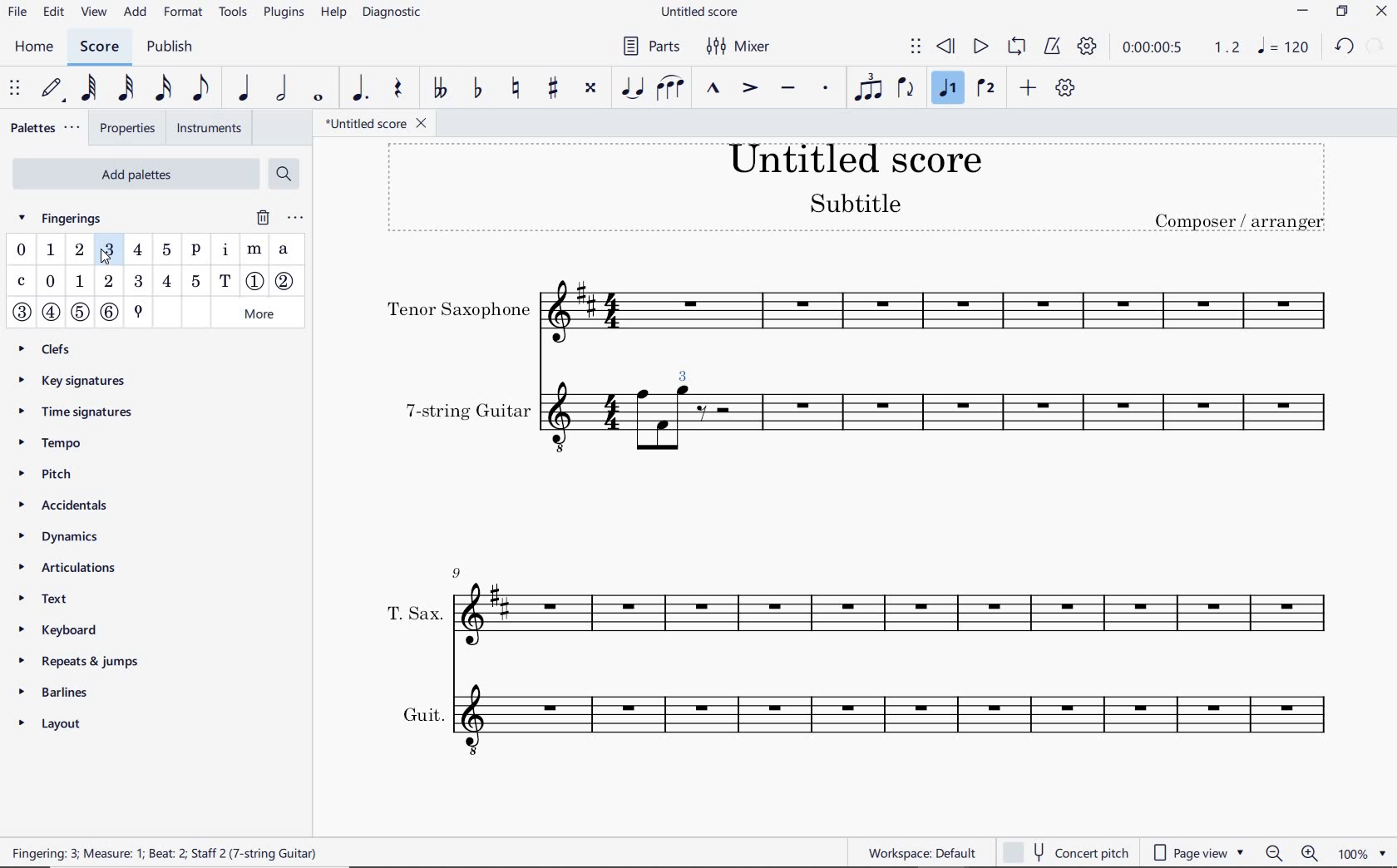 This screenshot has width=1397, height=868. Describe the element at coordinates (209, 127) in the screenshot. I see `INSTRUMENTS` at that location.